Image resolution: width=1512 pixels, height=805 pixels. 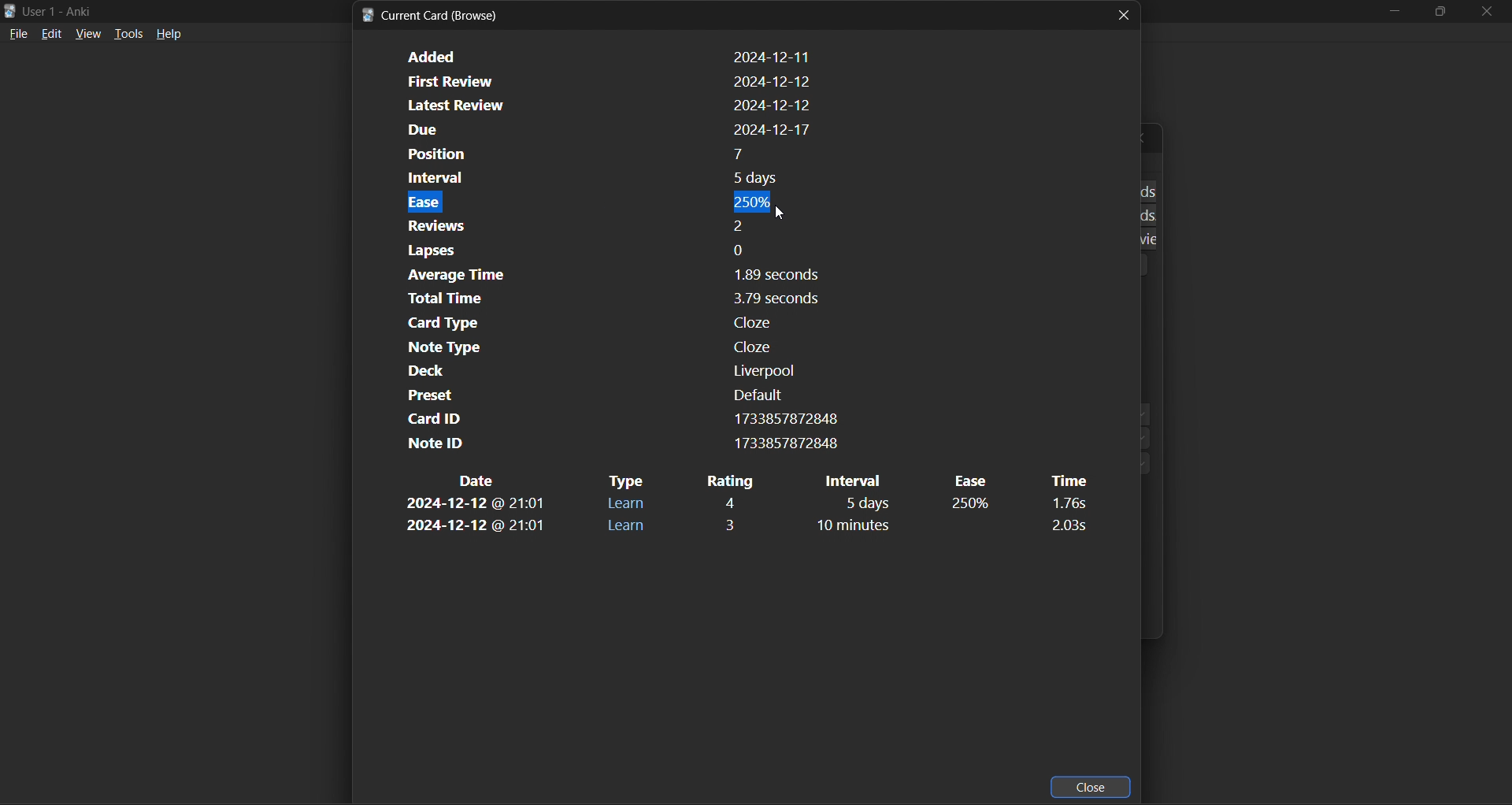 What do you see at coordinates (969, 480) in the screenshot?
I see `ease` at bounding box center [969, 480].